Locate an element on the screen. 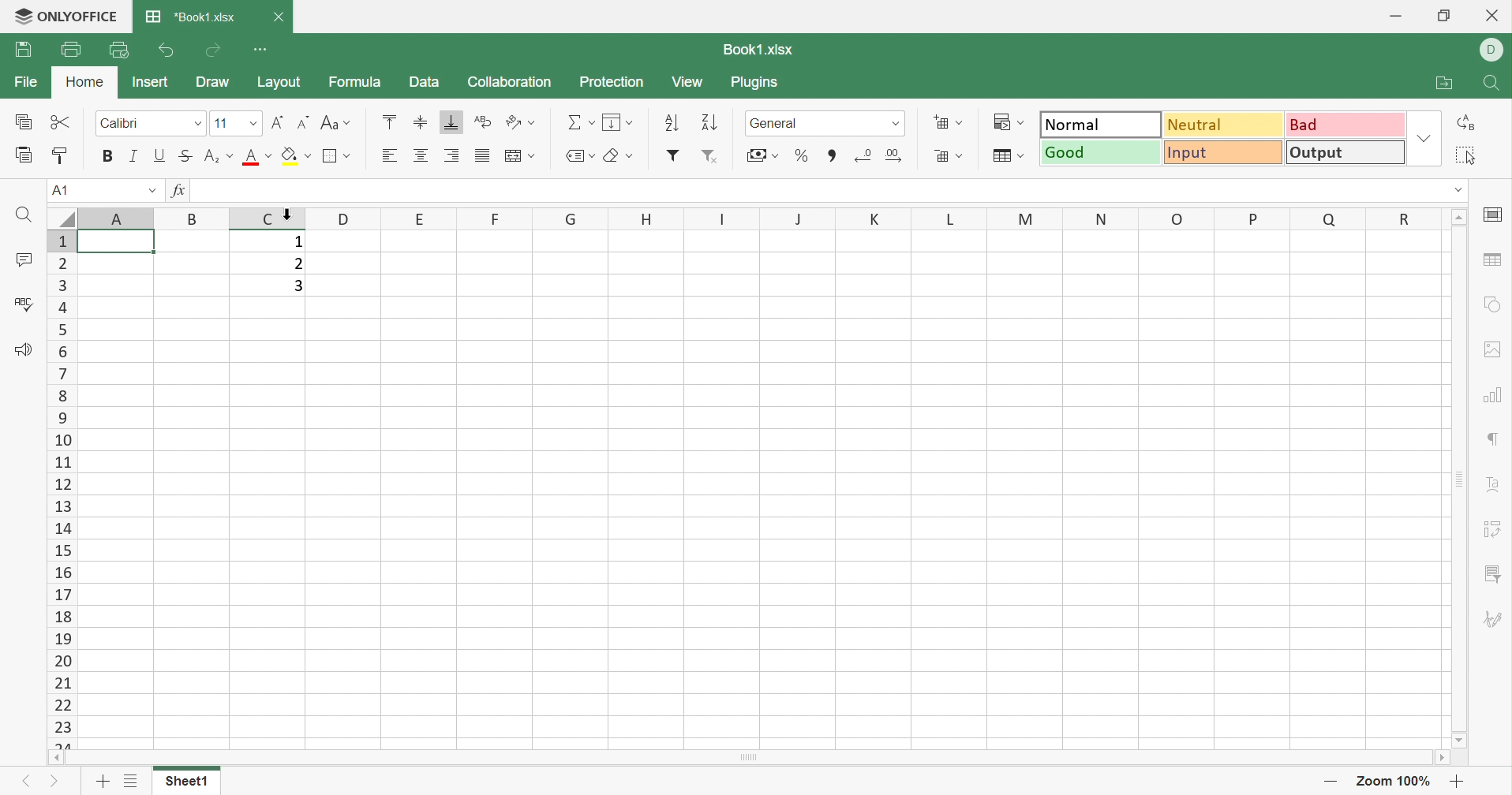 This screenshot has height=795, width=1512. Descending order is located at coordinates (707, 125).